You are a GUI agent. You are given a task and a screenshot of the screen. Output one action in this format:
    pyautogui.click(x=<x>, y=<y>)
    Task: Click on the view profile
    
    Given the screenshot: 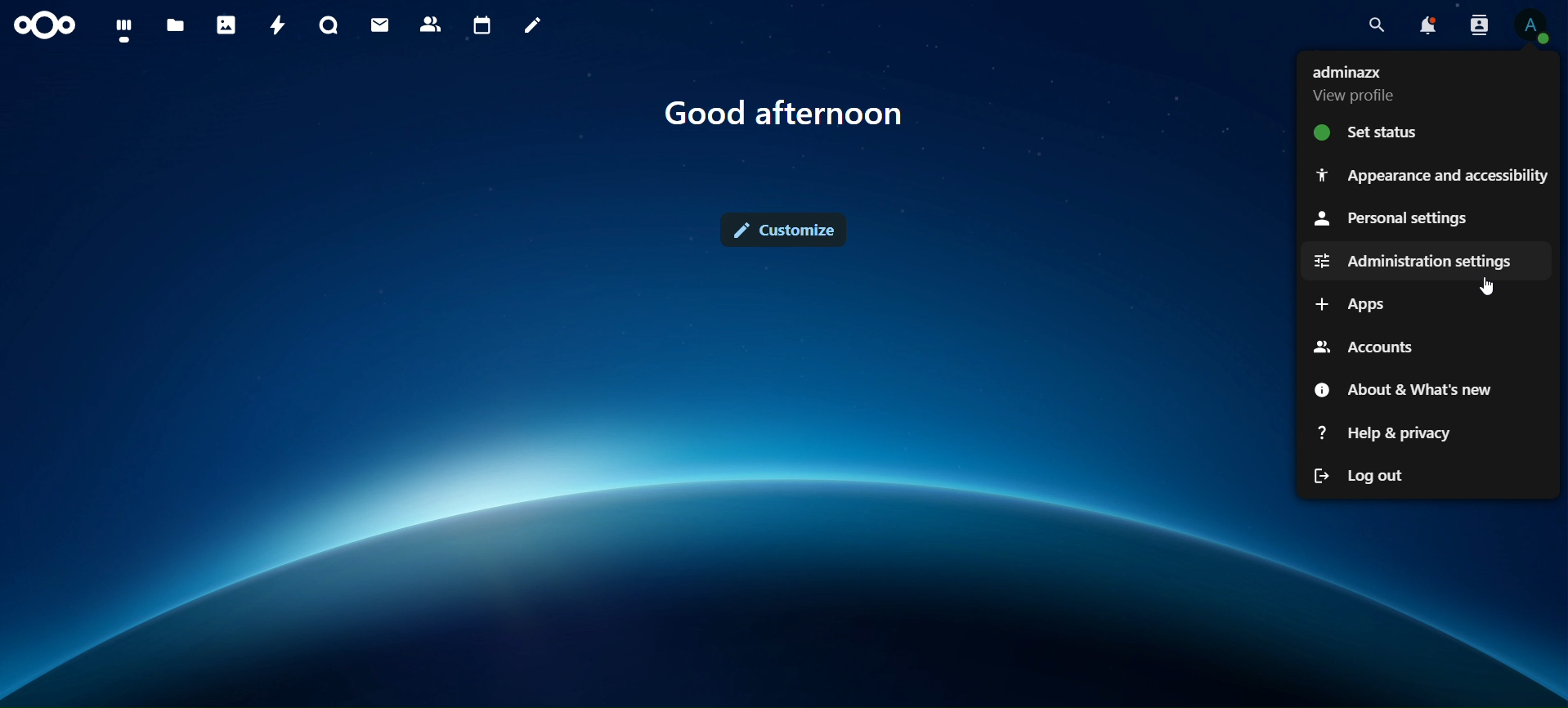 What is the action you would take?
    pyautogui.click(x=1360, y=84)
    